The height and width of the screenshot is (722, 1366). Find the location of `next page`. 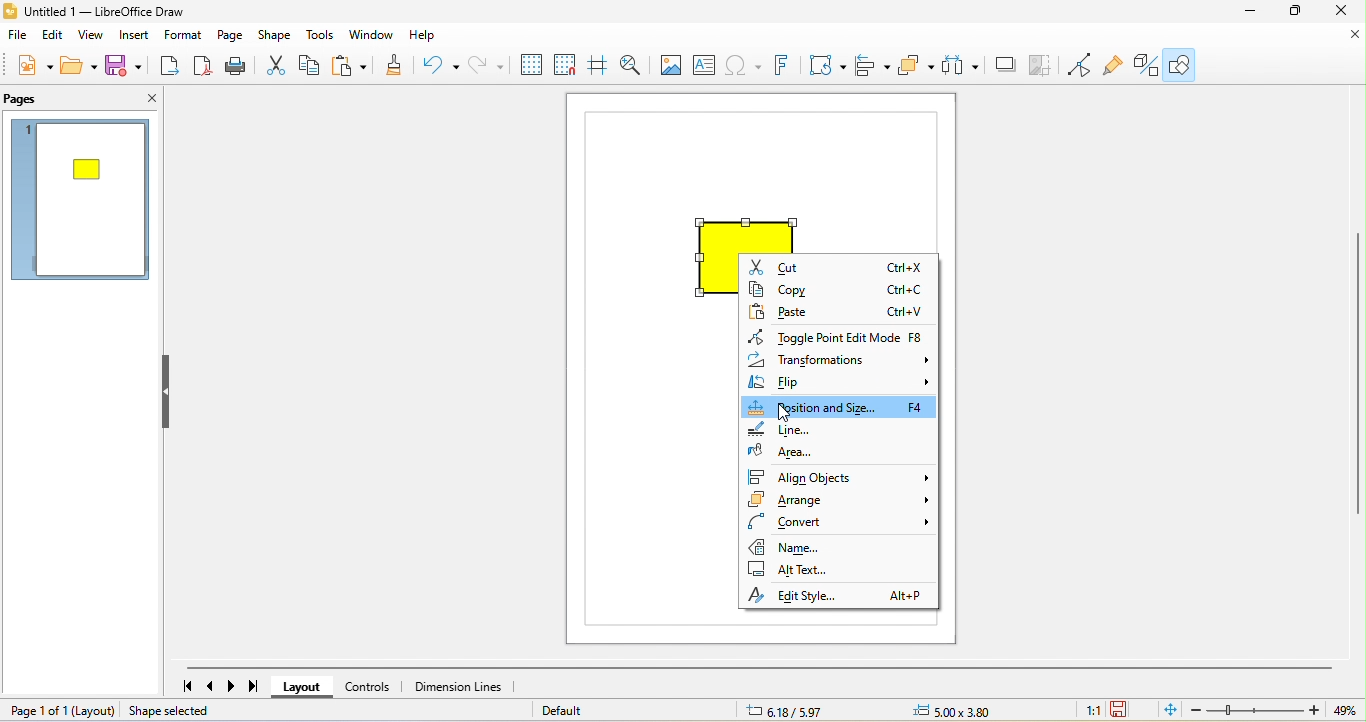

next page is located at coordinates (235, 687).